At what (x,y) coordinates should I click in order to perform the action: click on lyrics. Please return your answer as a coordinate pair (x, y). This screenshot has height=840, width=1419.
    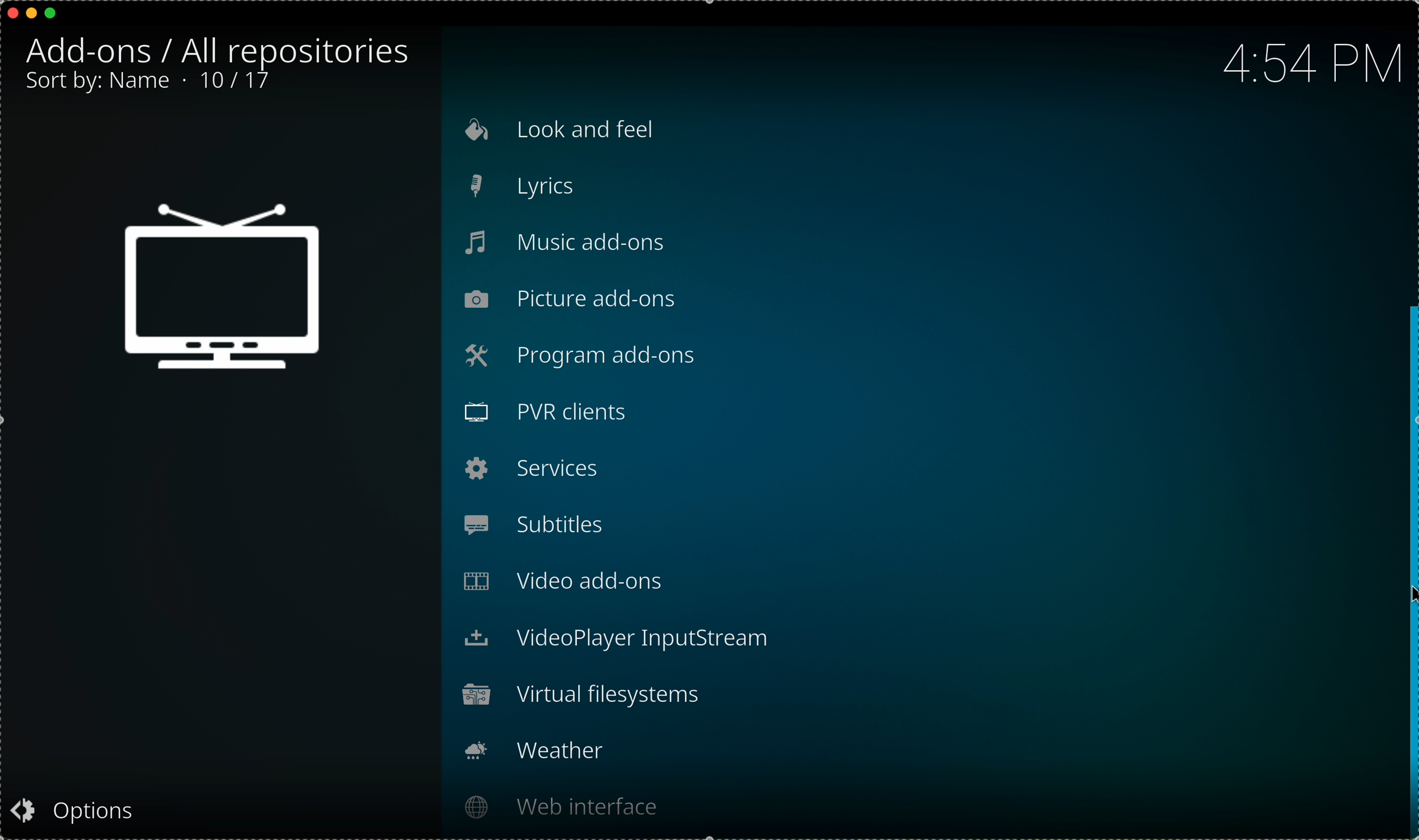
    Looking at the image, I should click on (574, 187).